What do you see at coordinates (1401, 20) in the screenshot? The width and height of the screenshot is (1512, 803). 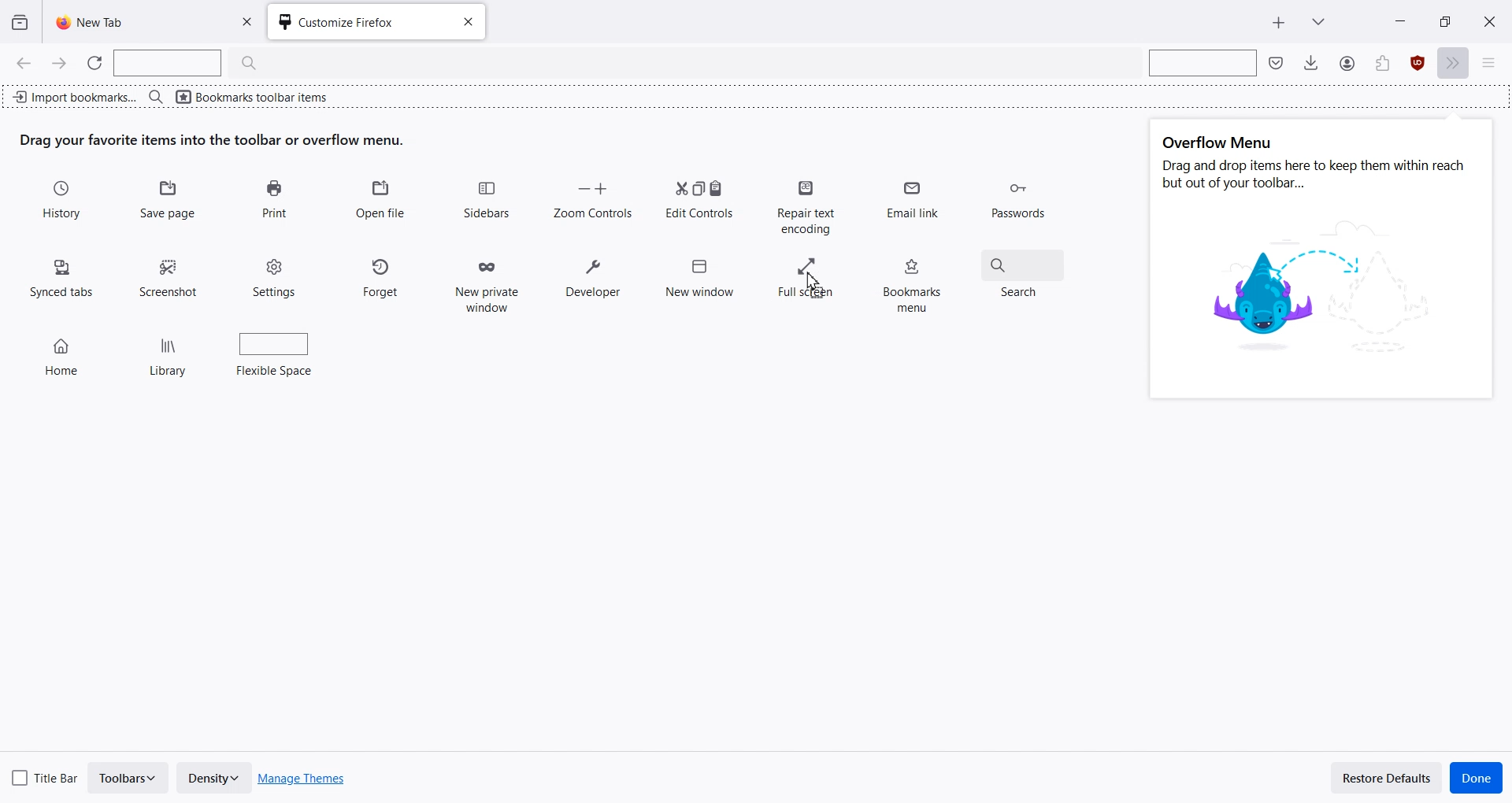 I see `Minimize` at bounding box center [1401, 20].